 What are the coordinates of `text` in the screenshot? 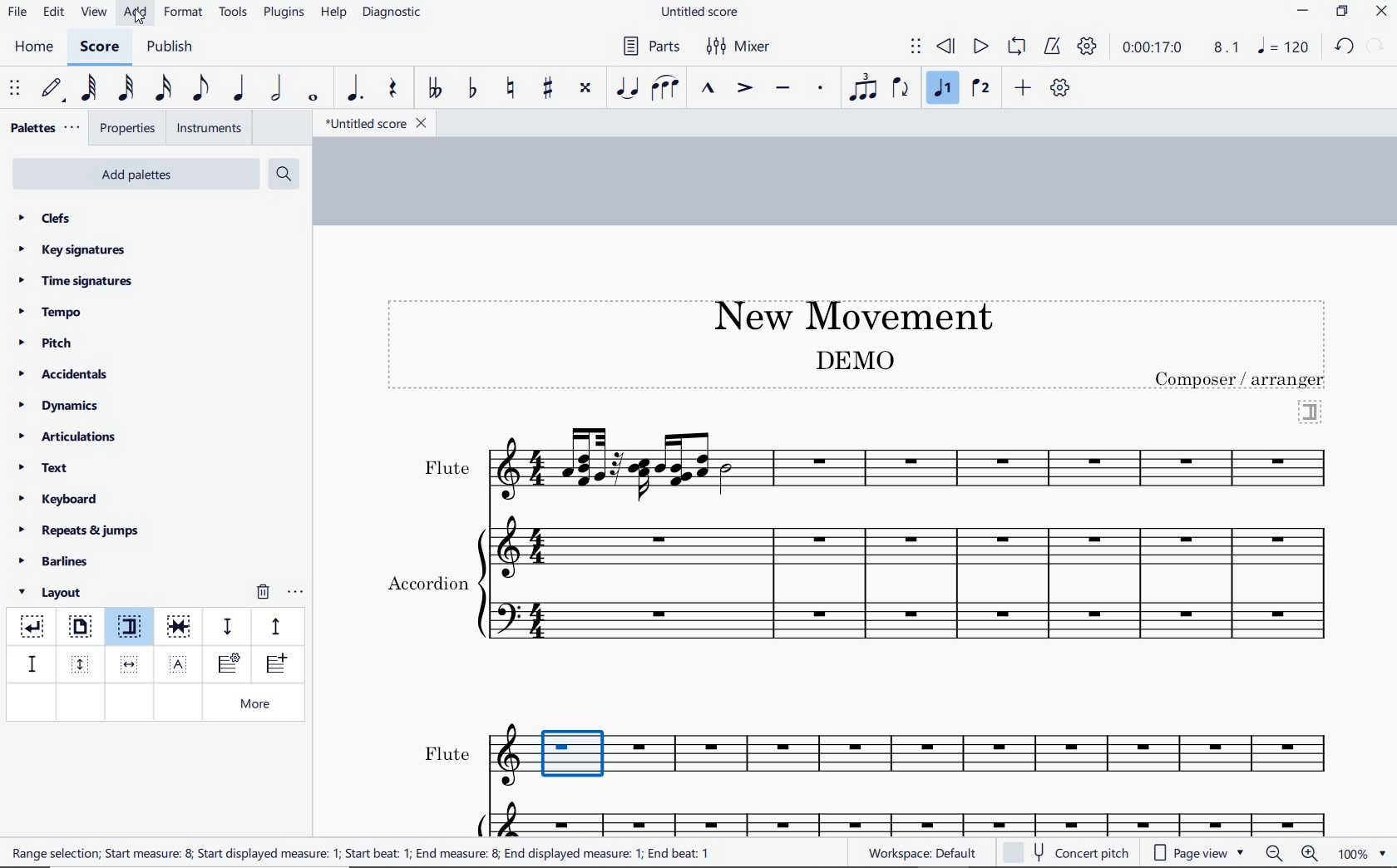 It's located at (1242, 379).